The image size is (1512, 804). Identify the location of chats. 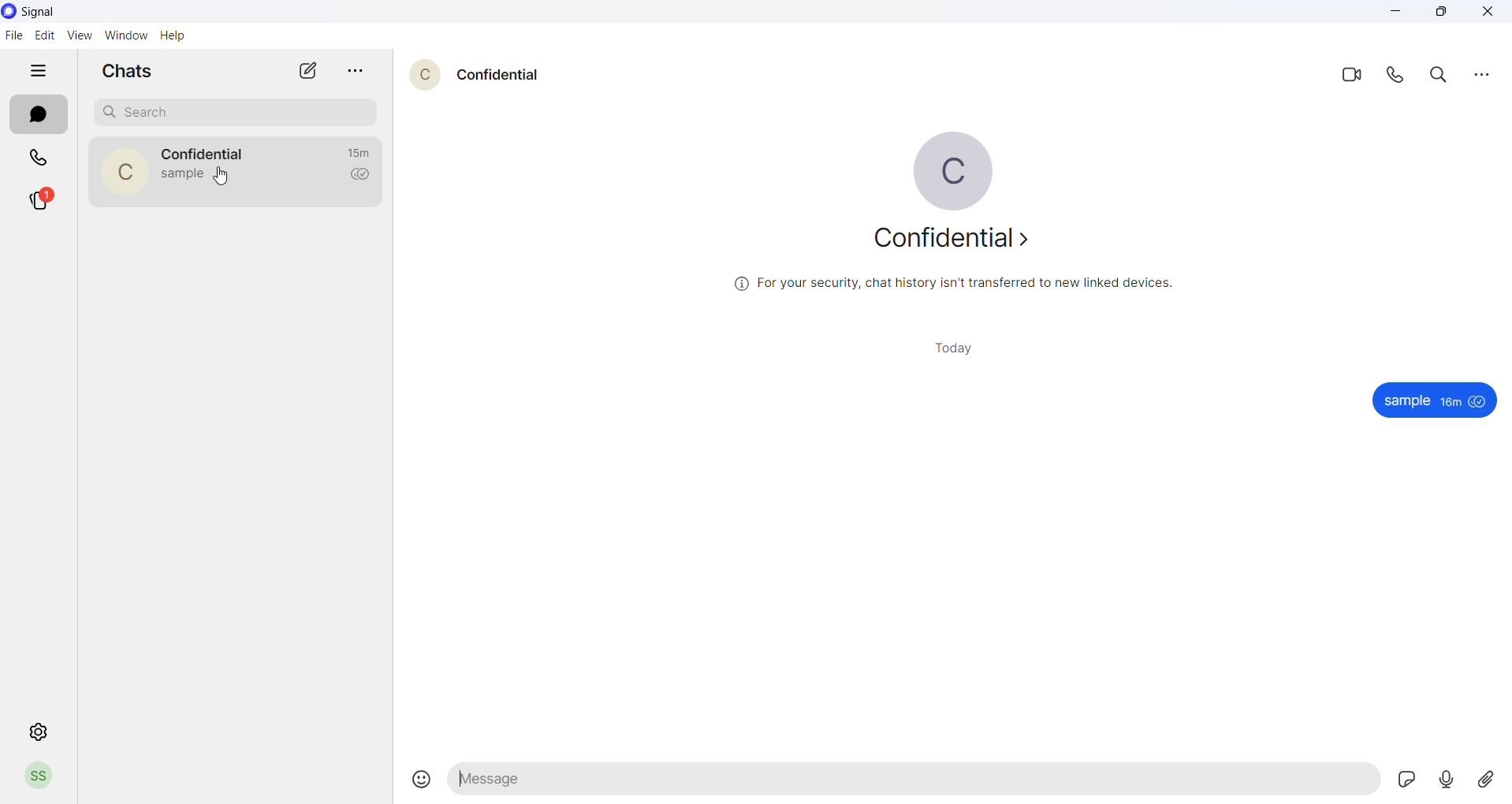
(39, 115).